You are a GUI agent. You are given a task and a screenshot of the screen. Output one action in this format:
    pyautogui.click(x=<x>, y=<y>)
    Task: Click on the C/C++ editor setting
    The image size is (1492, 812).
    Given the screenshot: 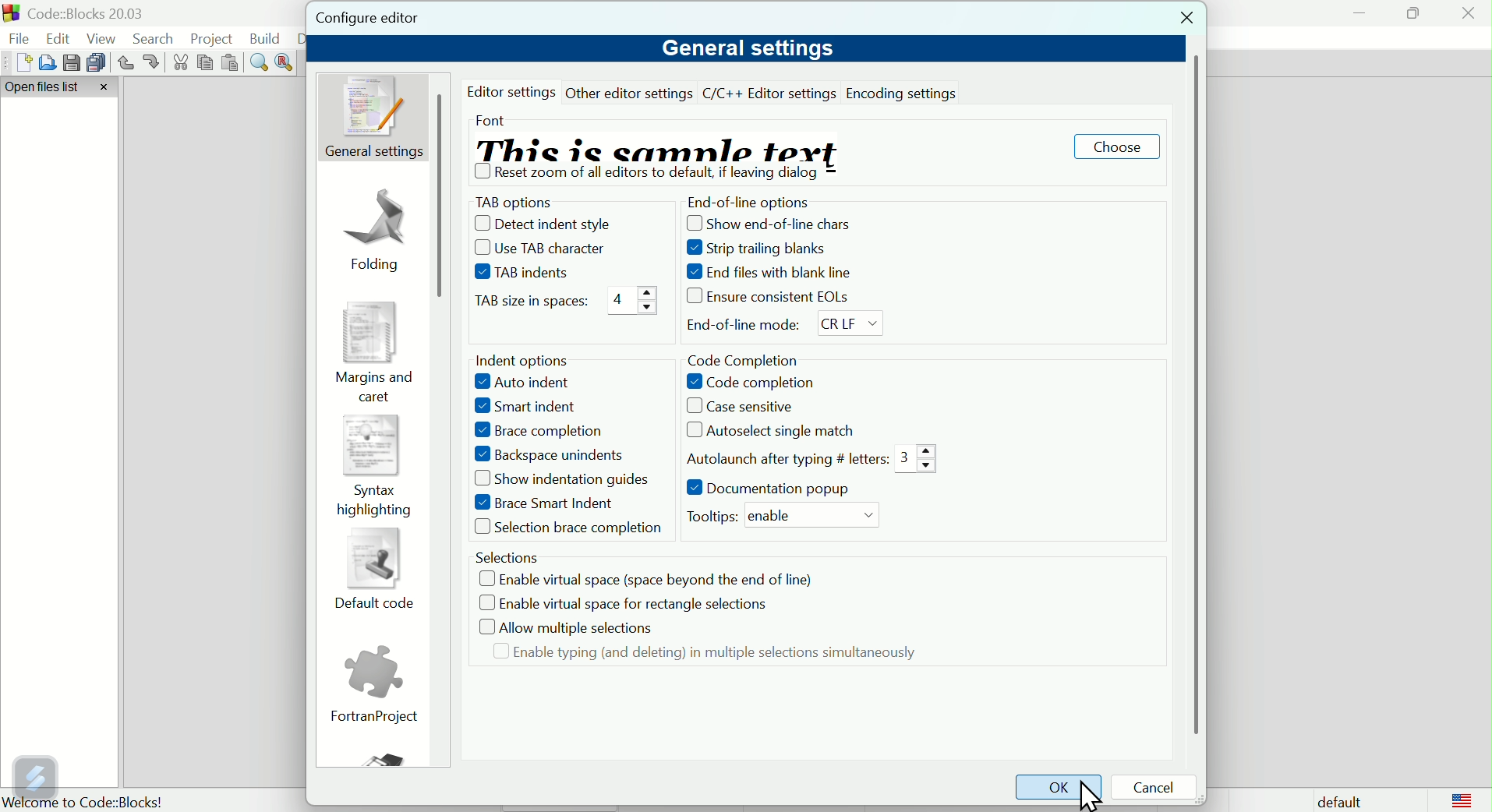 What is the action you would take?
    pyautogui.click(x=770, y=94)
    